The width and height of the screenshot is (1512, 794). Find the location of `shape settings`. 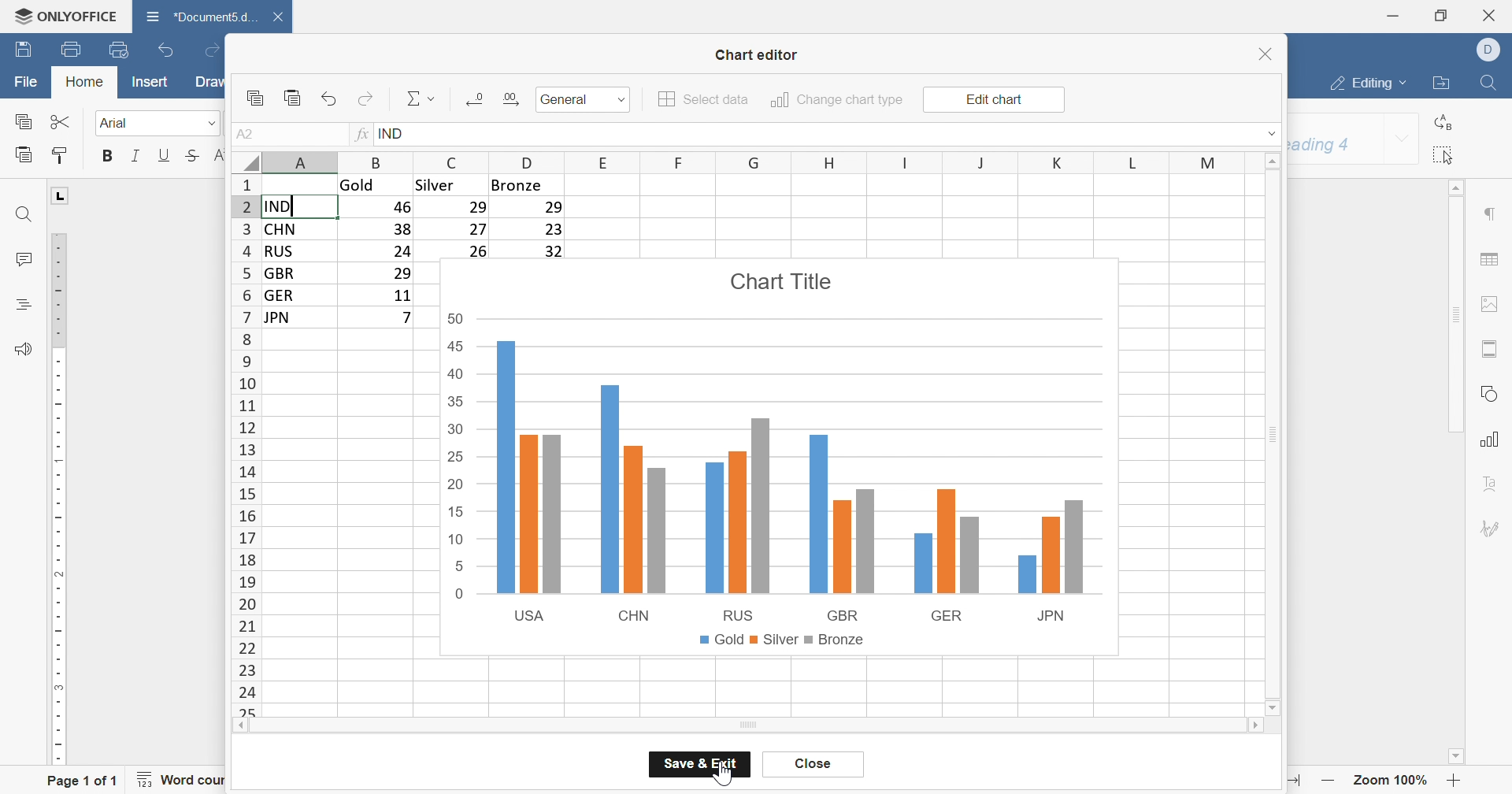

shape settings is located at coordinates (1489, 394).